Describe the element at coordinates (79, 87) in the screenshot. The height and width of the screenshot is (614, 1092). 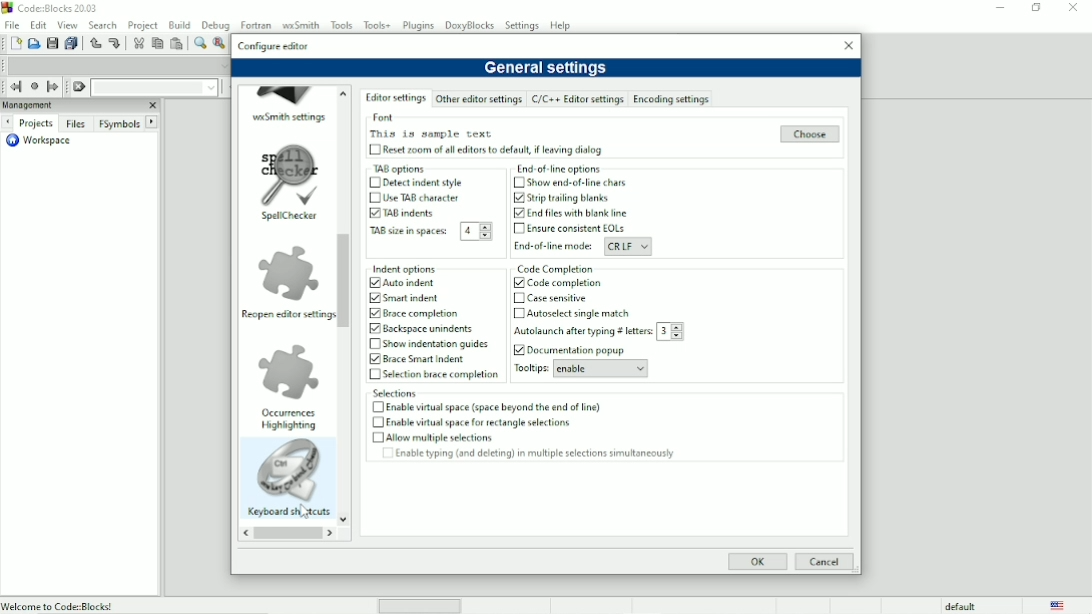
I see `Clear` at that location.